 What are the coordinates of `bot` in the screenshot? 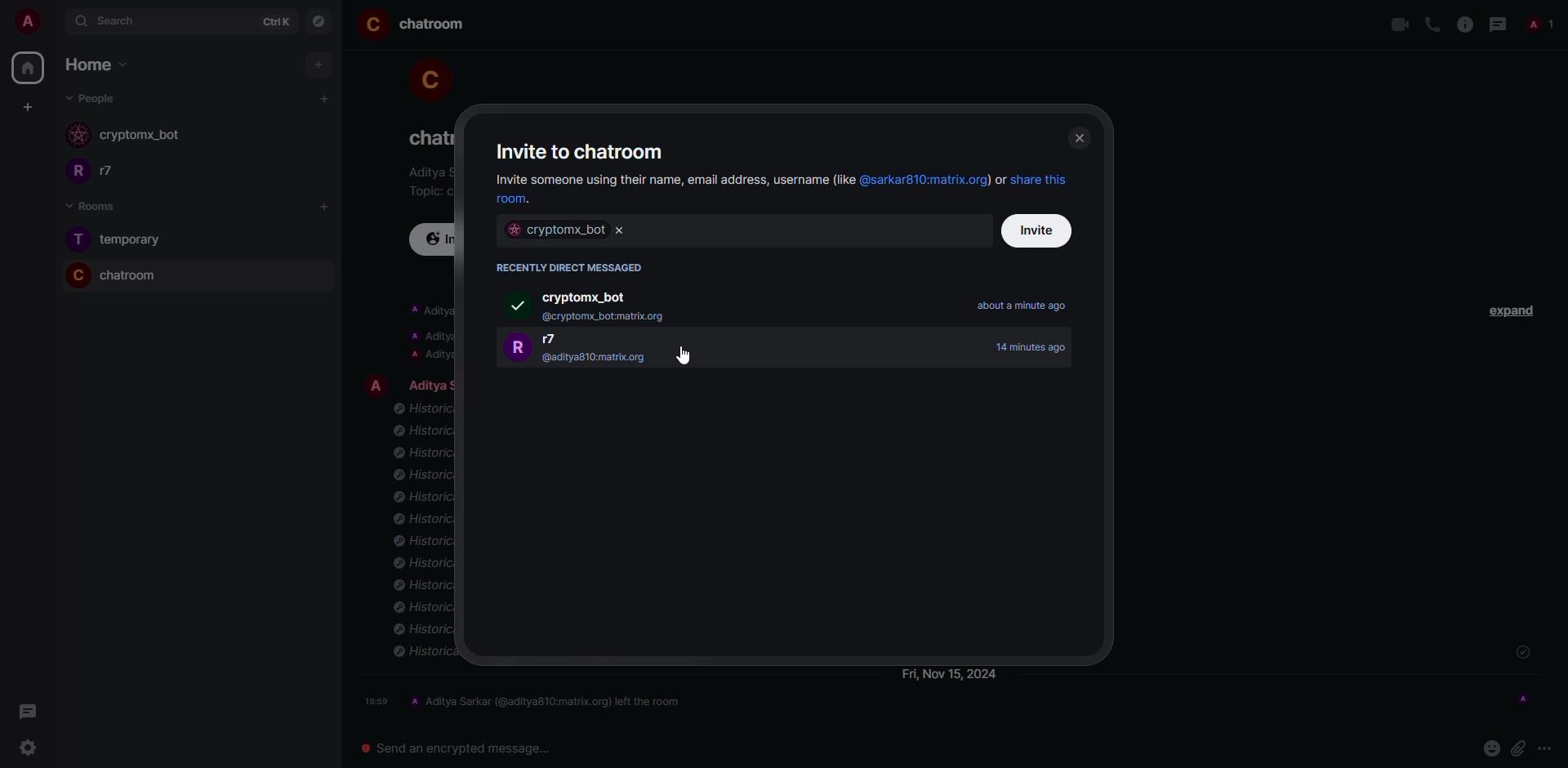 It's located at (140, 136).